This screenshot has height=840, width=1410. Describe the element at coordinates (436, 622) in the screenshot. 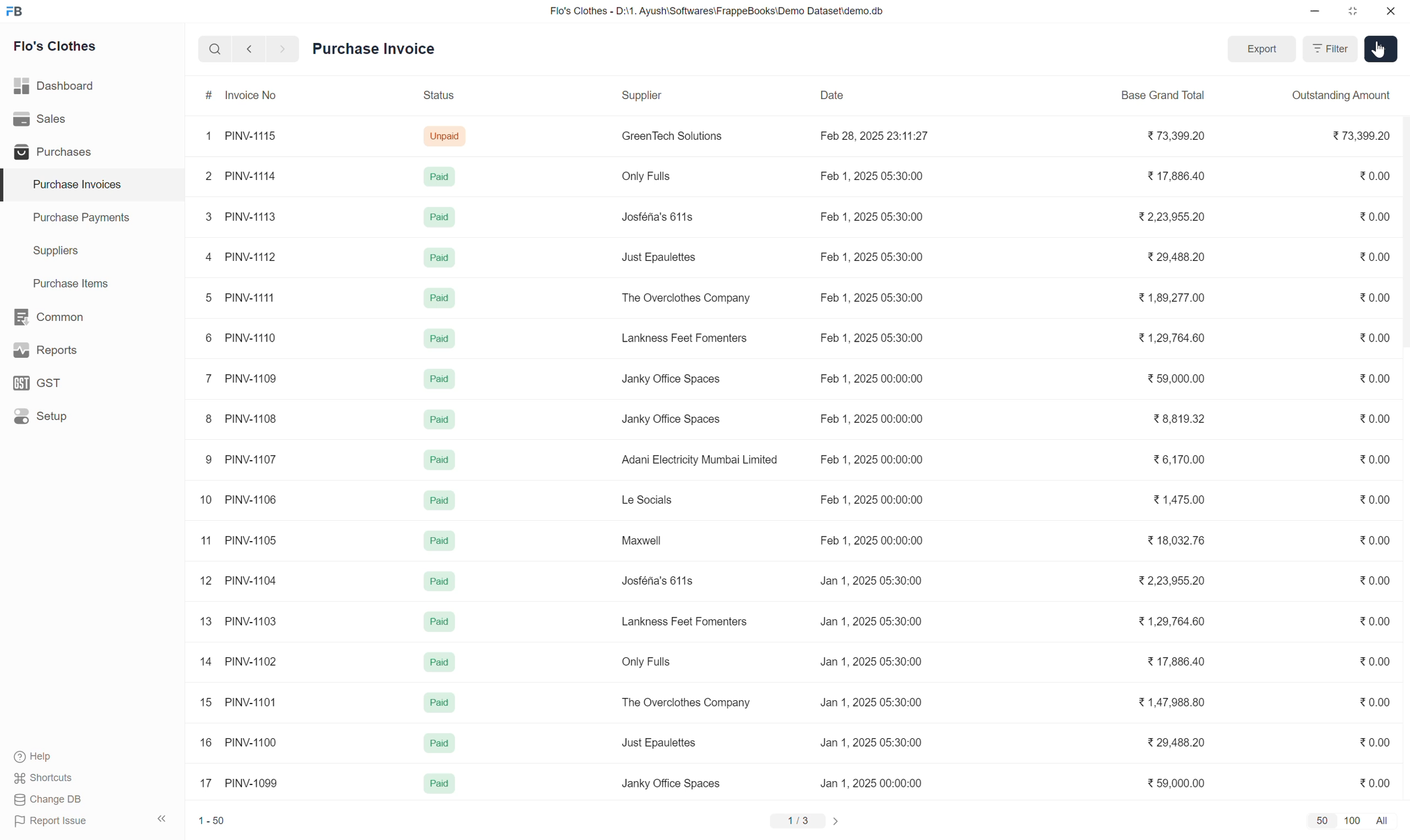

I see `Paid` at that location.